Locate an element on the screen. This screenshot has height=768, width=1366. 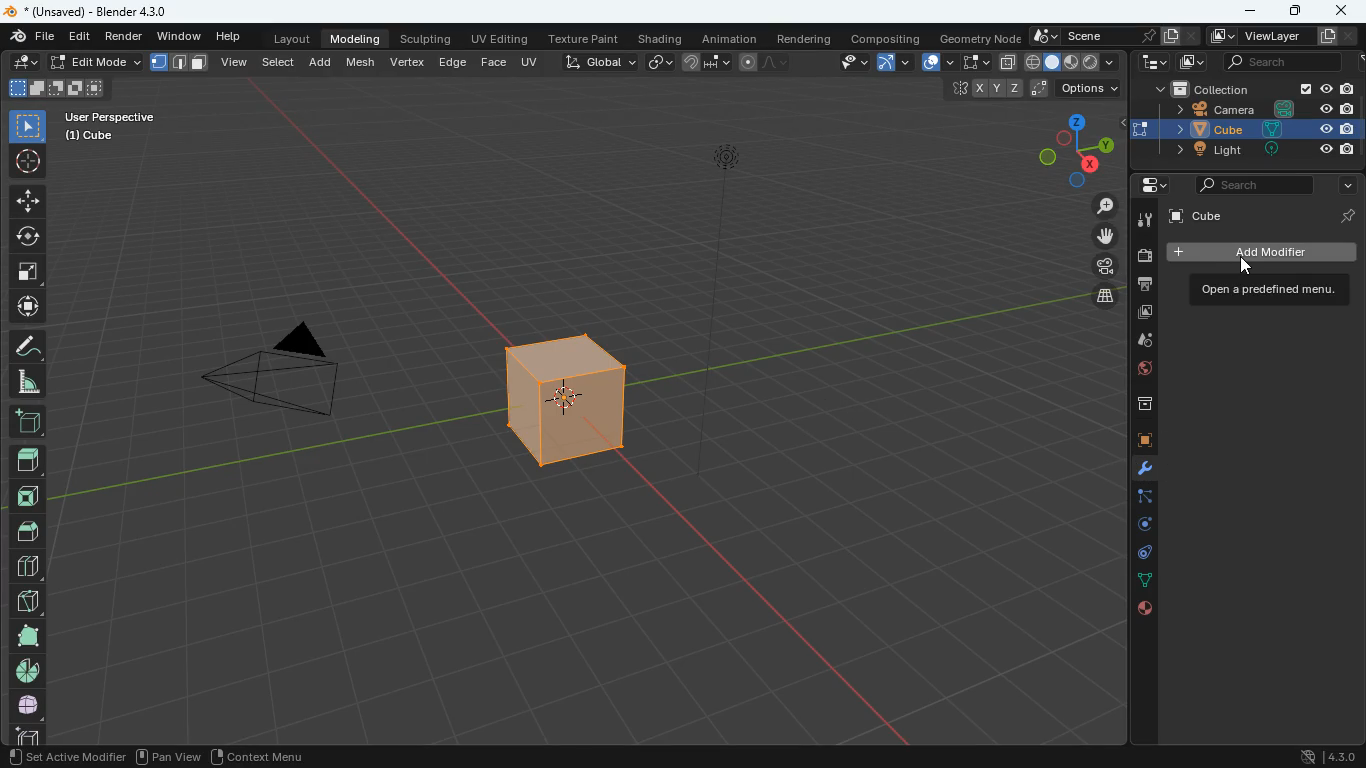
divide is located at coordinates (29, 565).